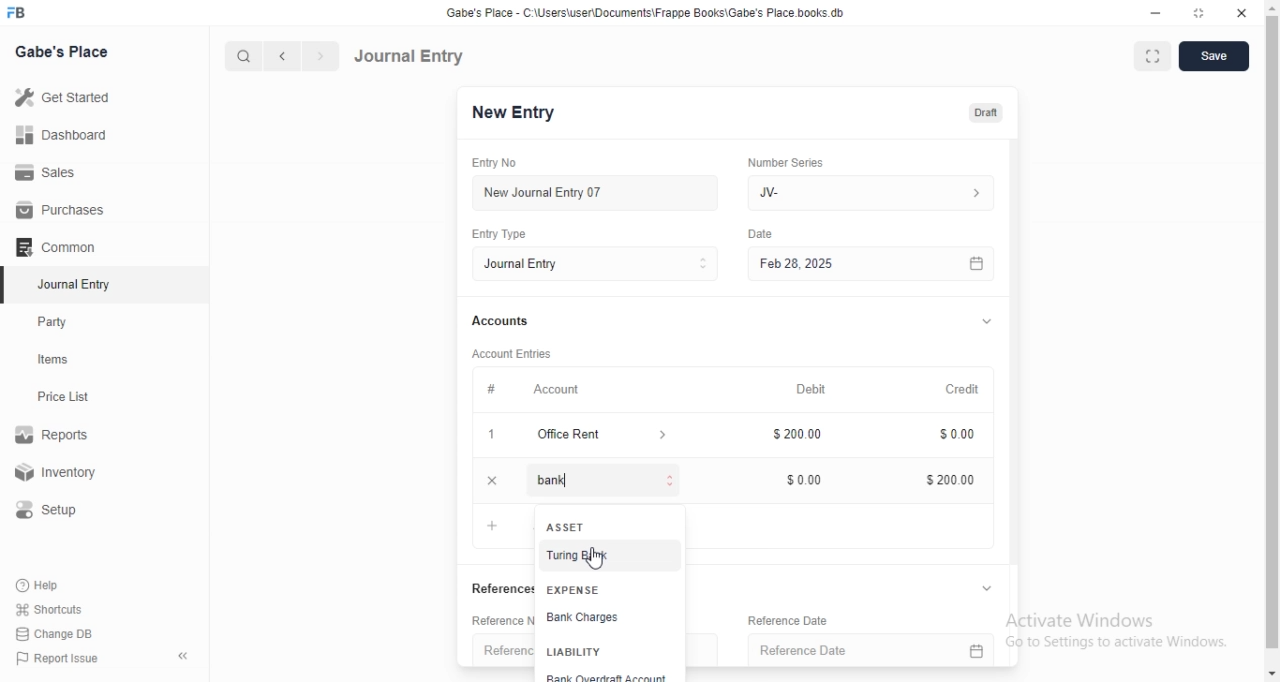  Describe the element at coordinates (762, 233) in the screenshot. I see `Date` at that location.